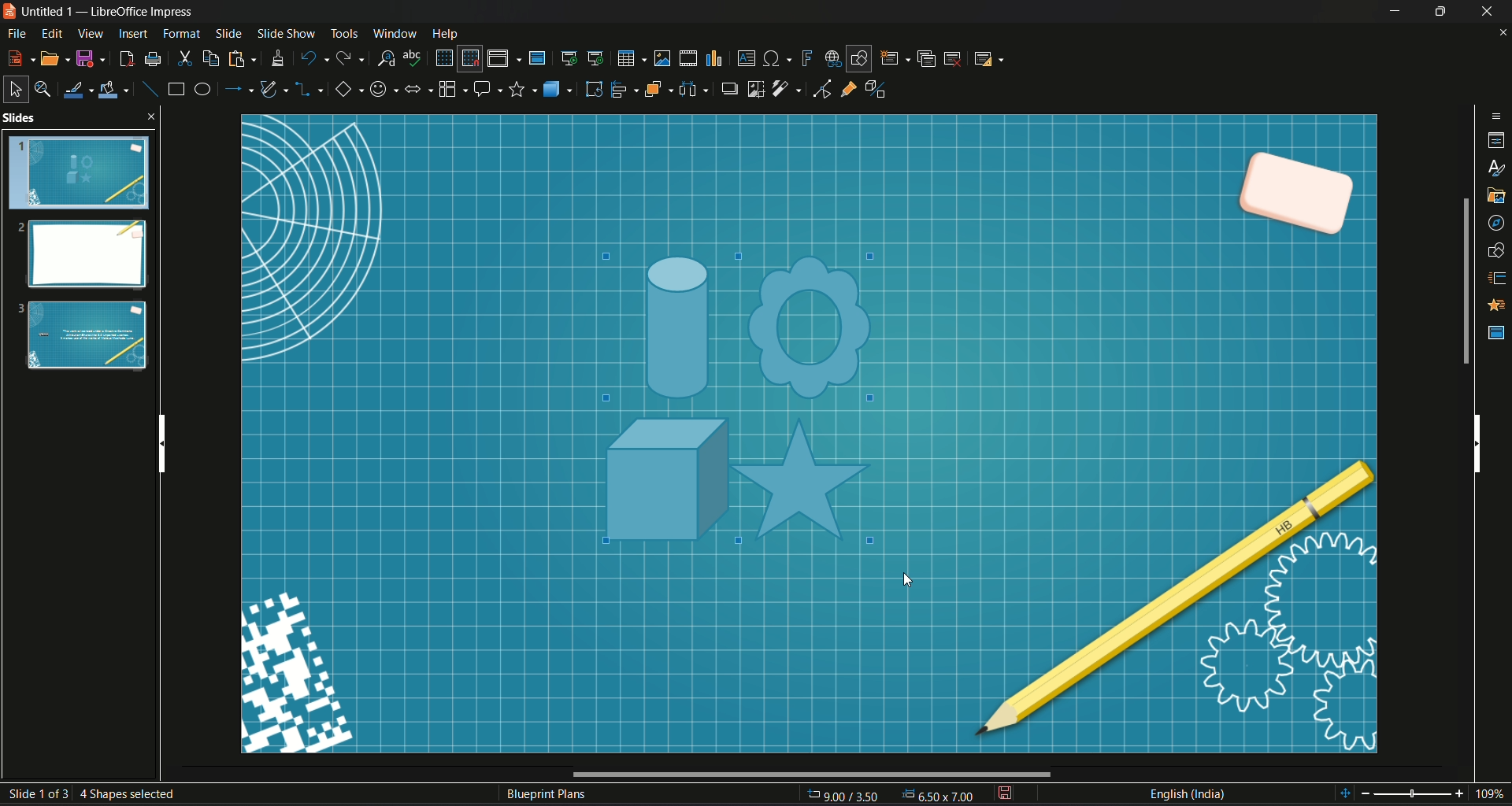 The image size is (1512, 806). What do you see at coordinates (1498, 305) in the screenshot?
I see `Animation` at bounding box center [1498, 305].